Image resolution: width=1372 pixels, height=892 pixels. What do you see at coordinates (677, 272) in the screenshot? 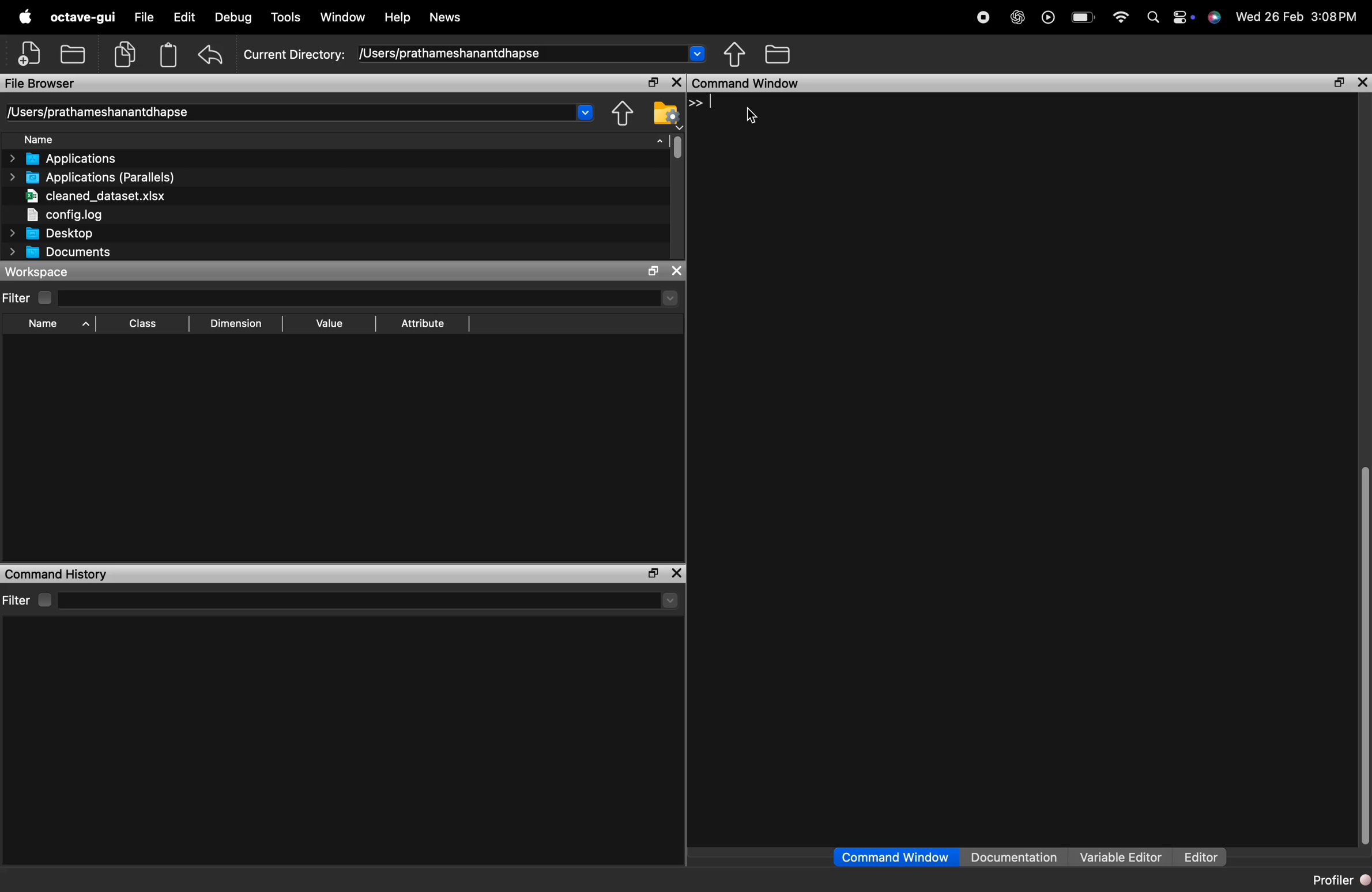
I see `close` at bounding box center [677, 272].